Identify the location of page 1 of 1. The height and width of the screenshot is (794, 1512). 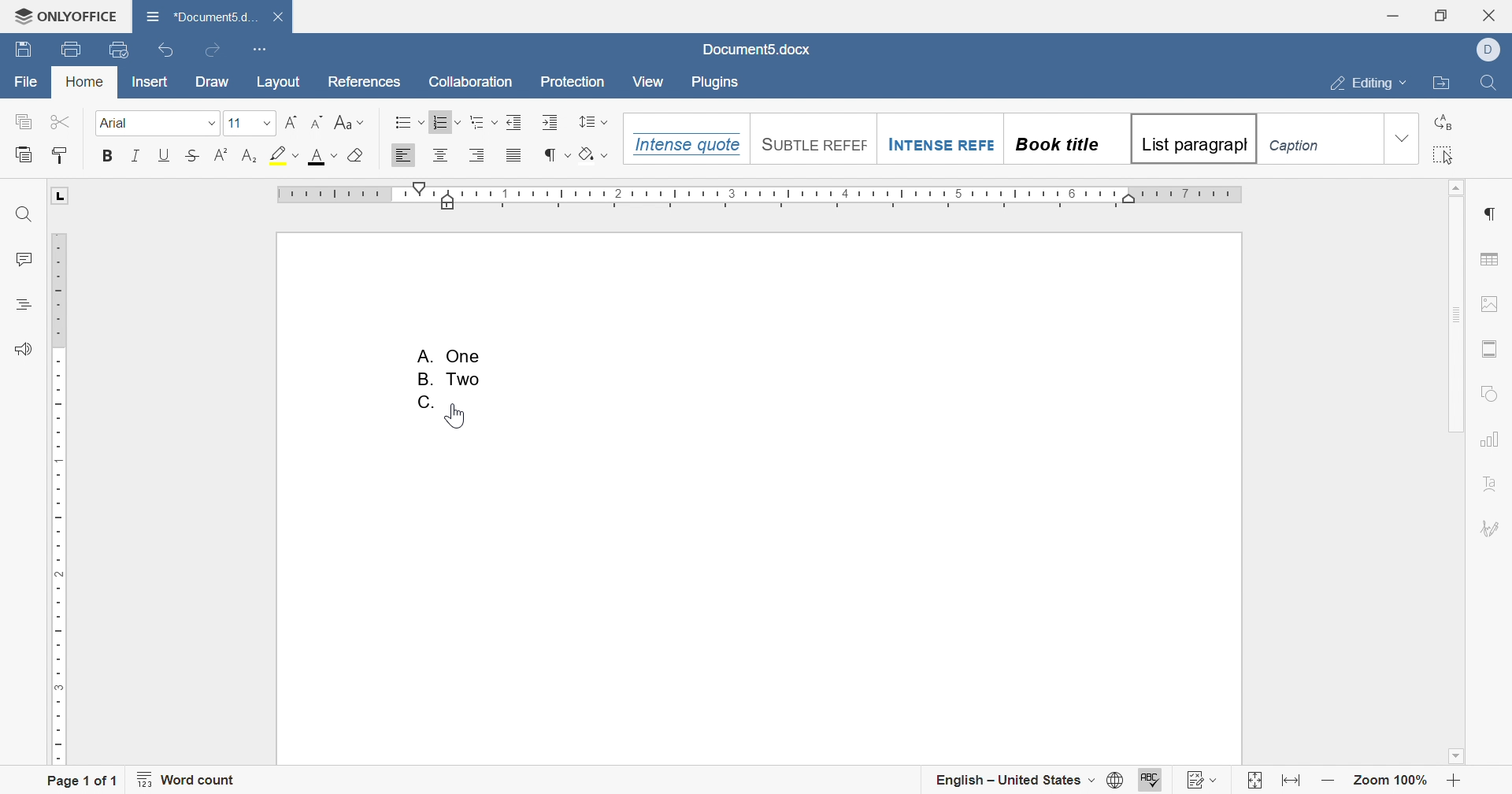
(83, 779).